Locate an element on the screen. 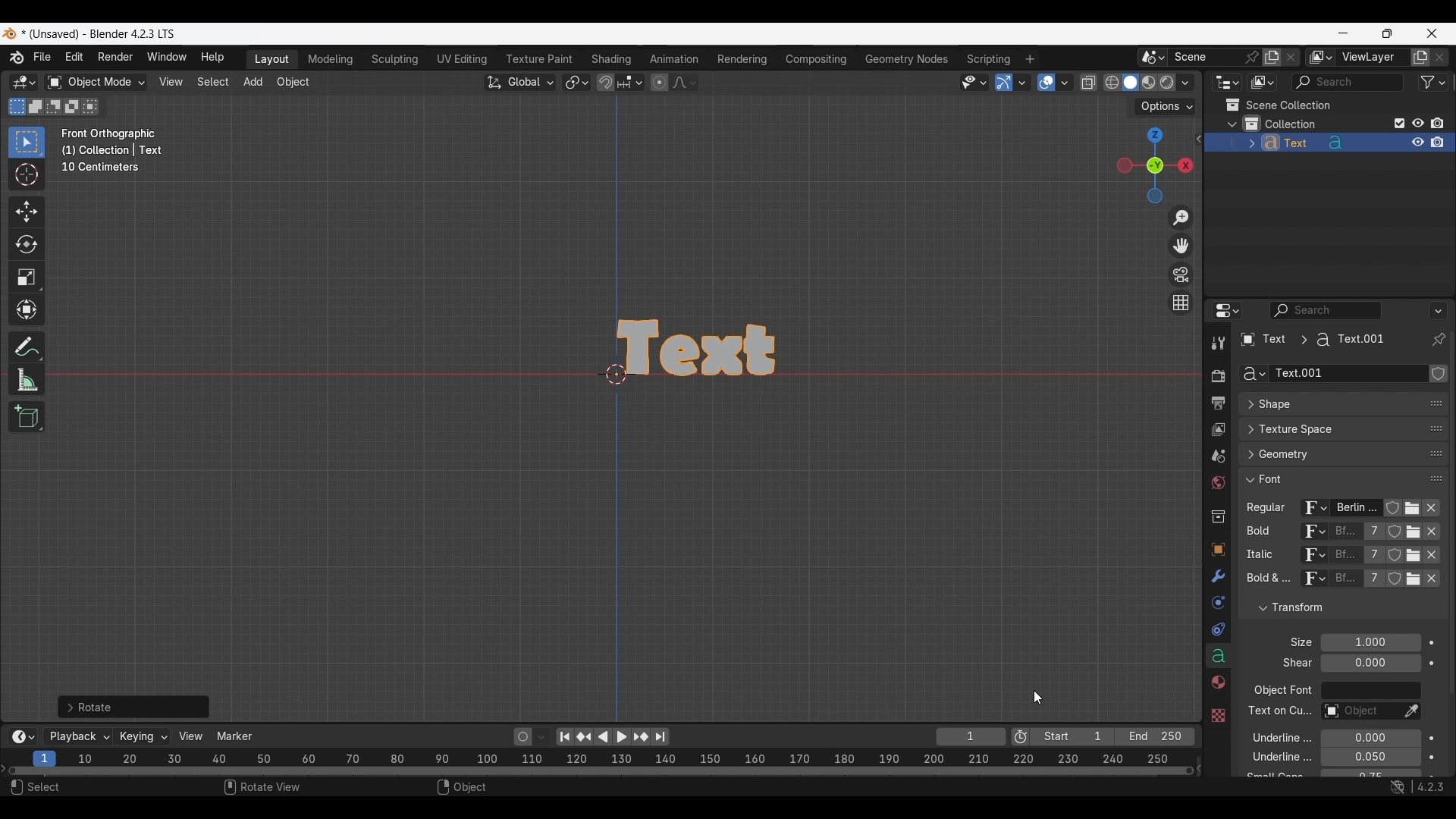 Image resolution: width=1456 pixels, height=819 pixels. Compositing workspace is located at coordinates (817, 59).